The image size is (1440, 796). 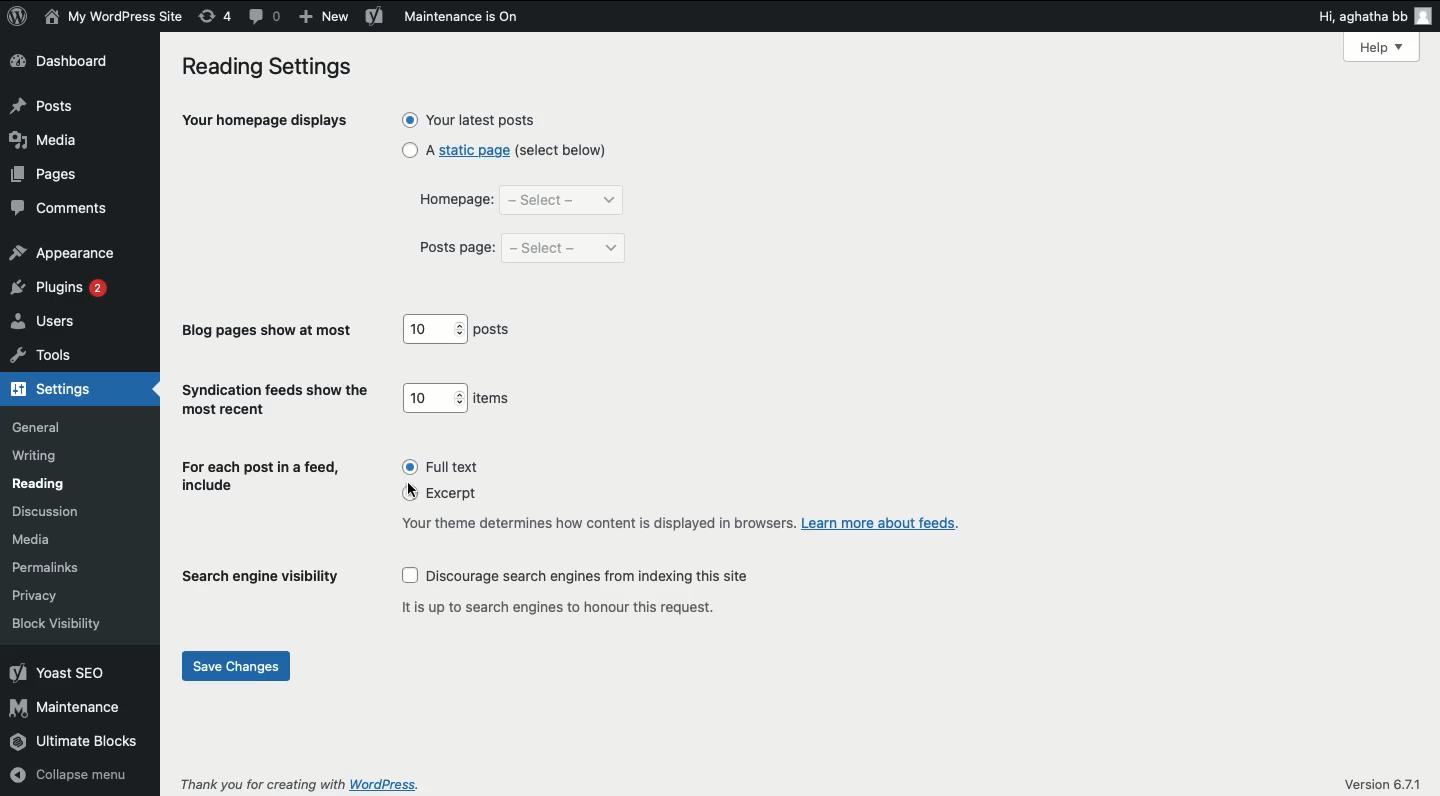 I want to click on general , so click(x=40, y=429).